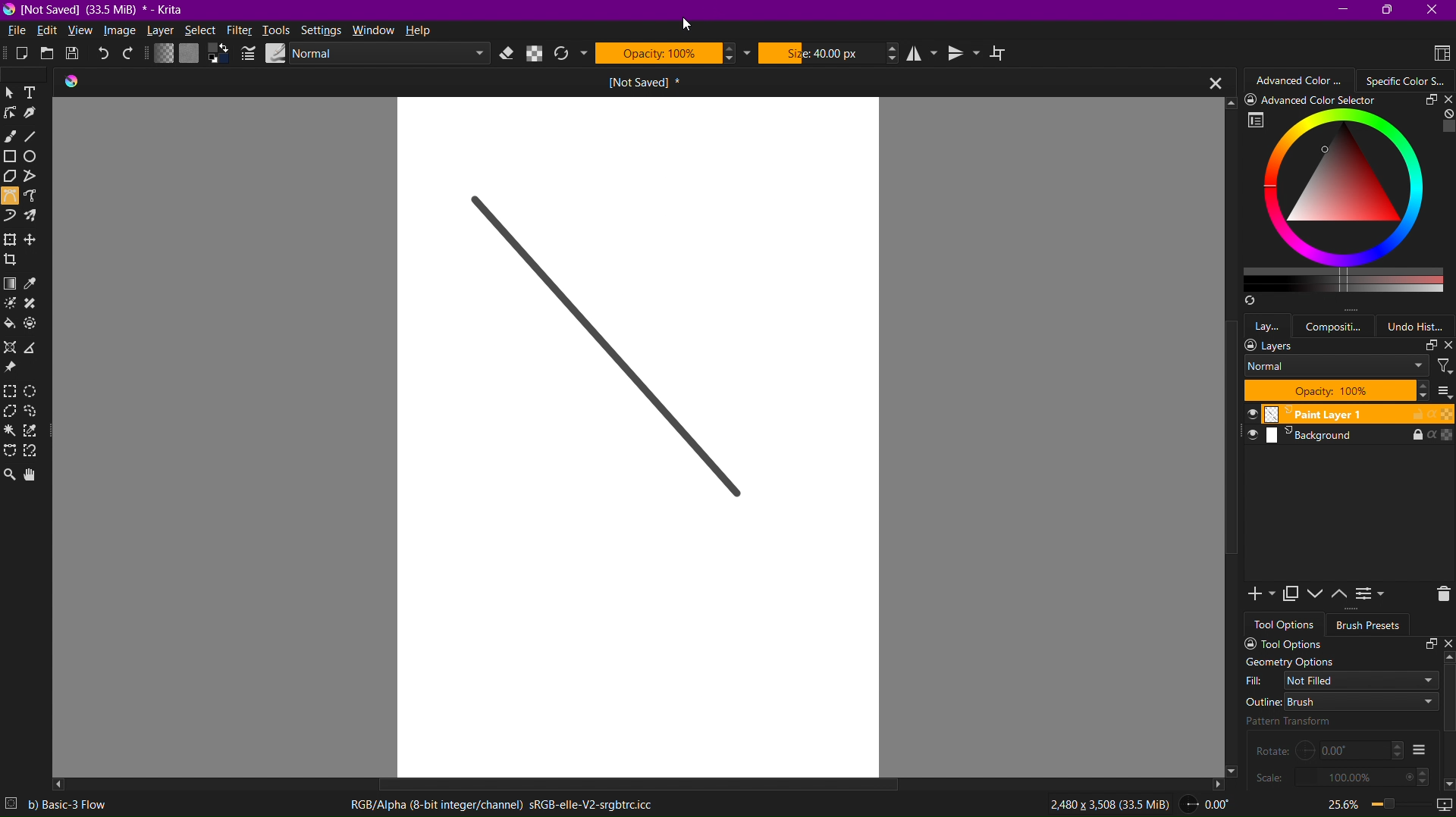 The width and height of the screenshot is (1456, 817). What do you see at coordinates (423, 32) in the screenshot?
I see `Help` at bounding box center [423, 32].